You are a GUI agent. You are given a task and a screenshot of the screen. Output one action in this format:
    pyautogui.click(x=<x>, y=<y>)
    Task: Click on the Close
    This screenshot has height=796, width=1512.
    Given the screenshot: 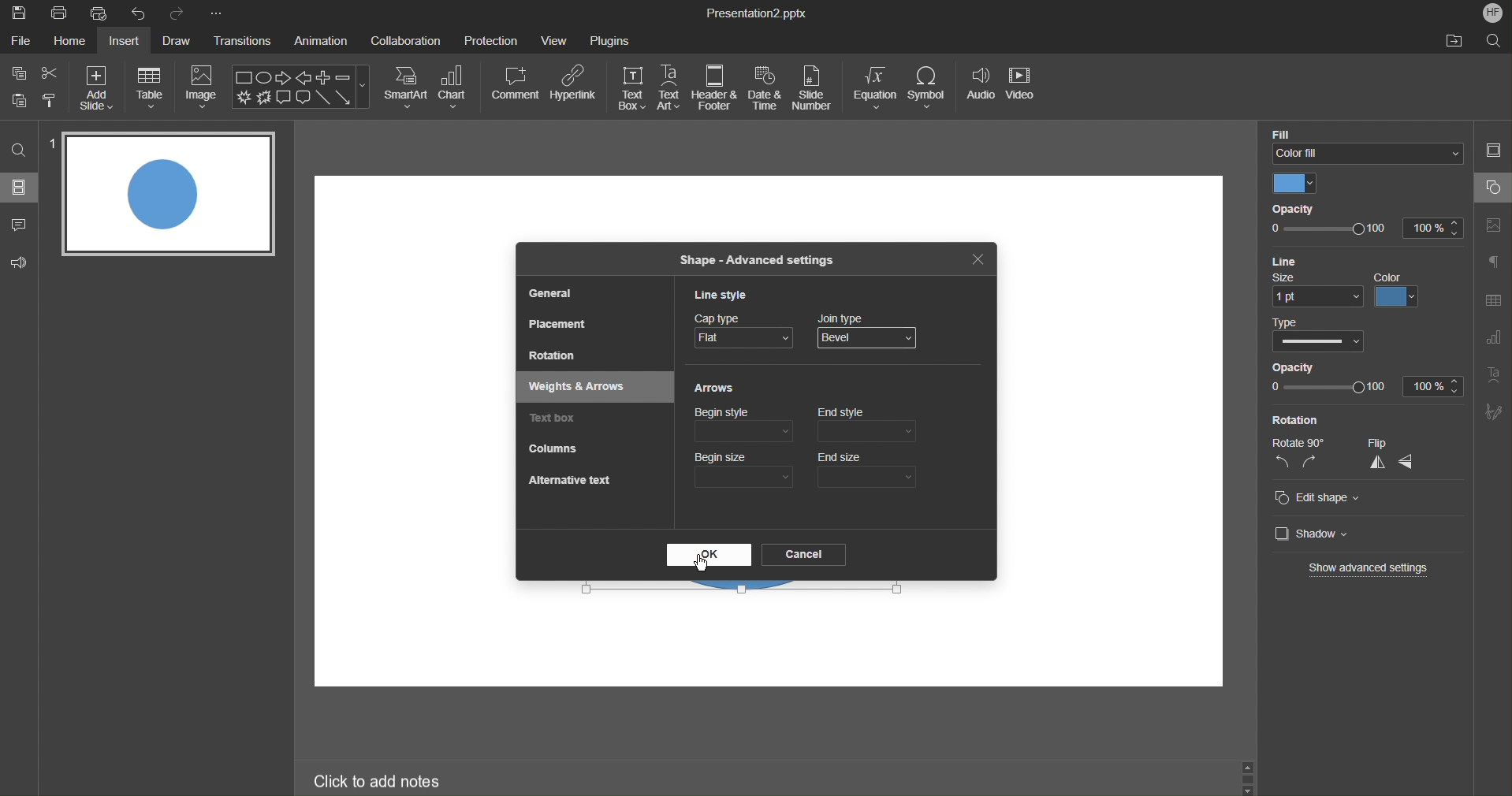 What is the action you would take?
    pyautogui.click(x=978, y=262)
    